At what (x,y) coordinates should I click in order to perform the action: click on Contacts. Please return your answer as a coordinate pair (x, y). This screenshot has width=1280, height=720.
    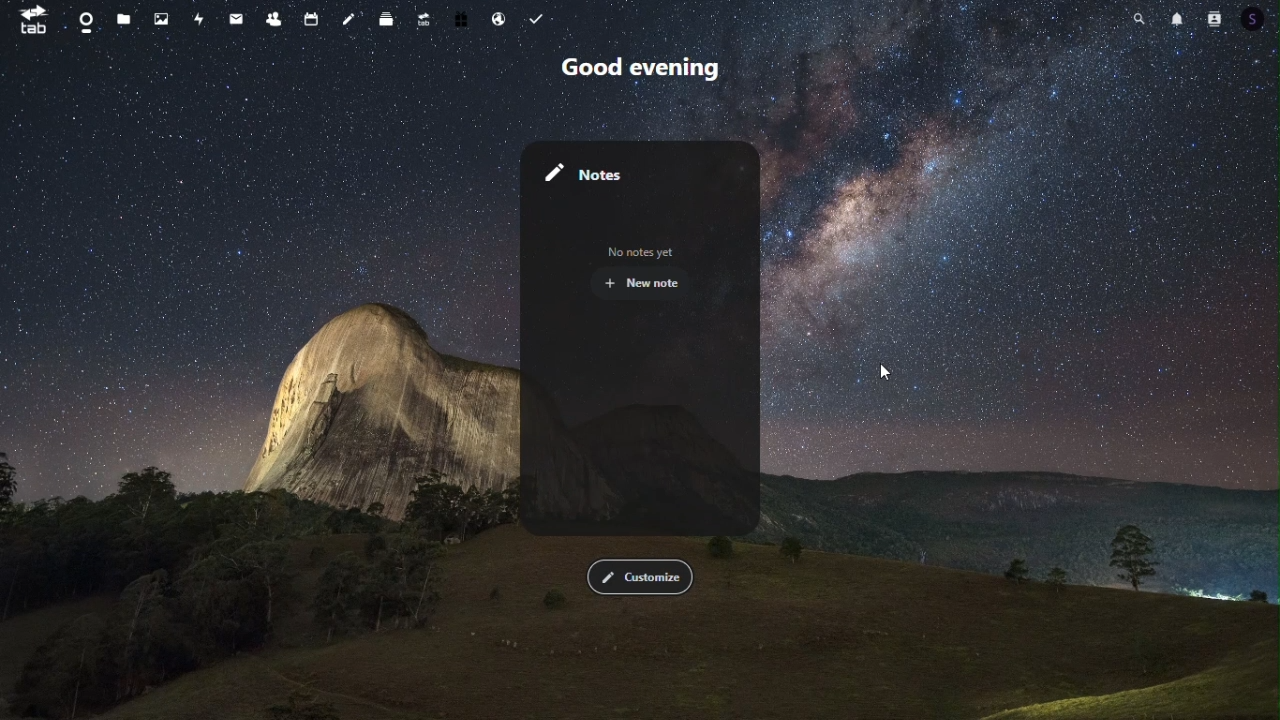
    Looking at the image, I should click on (274, 19).